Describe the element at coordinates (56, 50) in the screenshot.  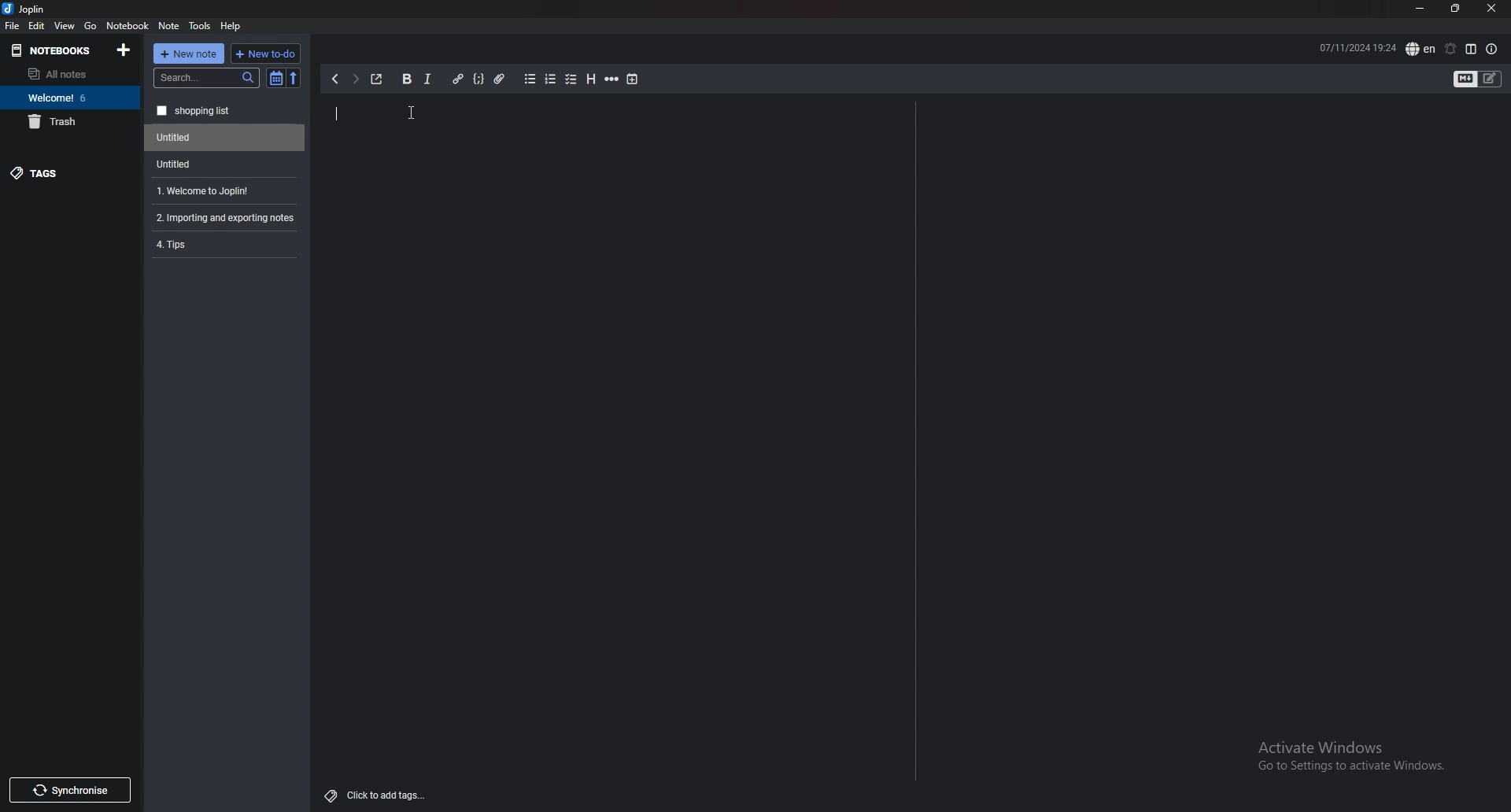
I see `notebooks` at that location.